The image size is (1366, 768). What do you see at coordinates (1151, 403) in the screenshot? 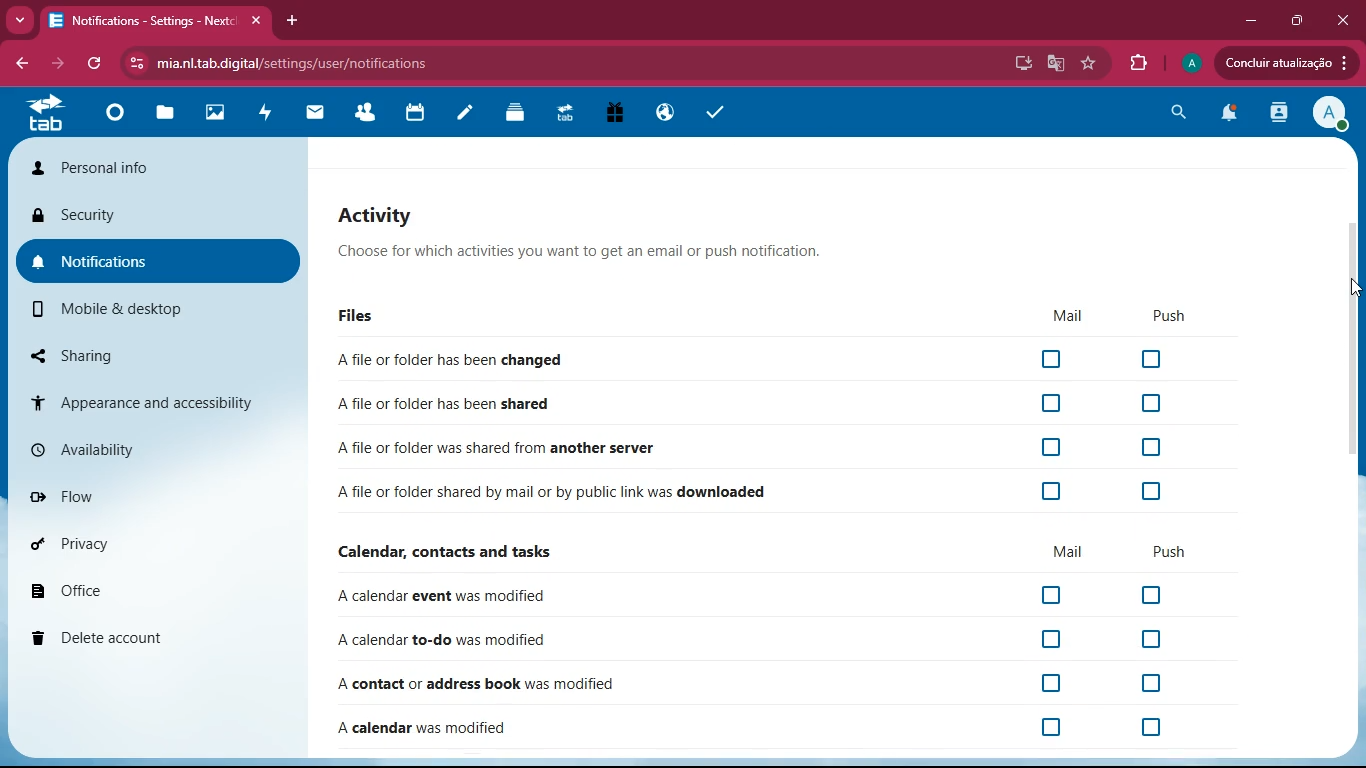
I see `checkbox` at bounding box center [1151, 403].